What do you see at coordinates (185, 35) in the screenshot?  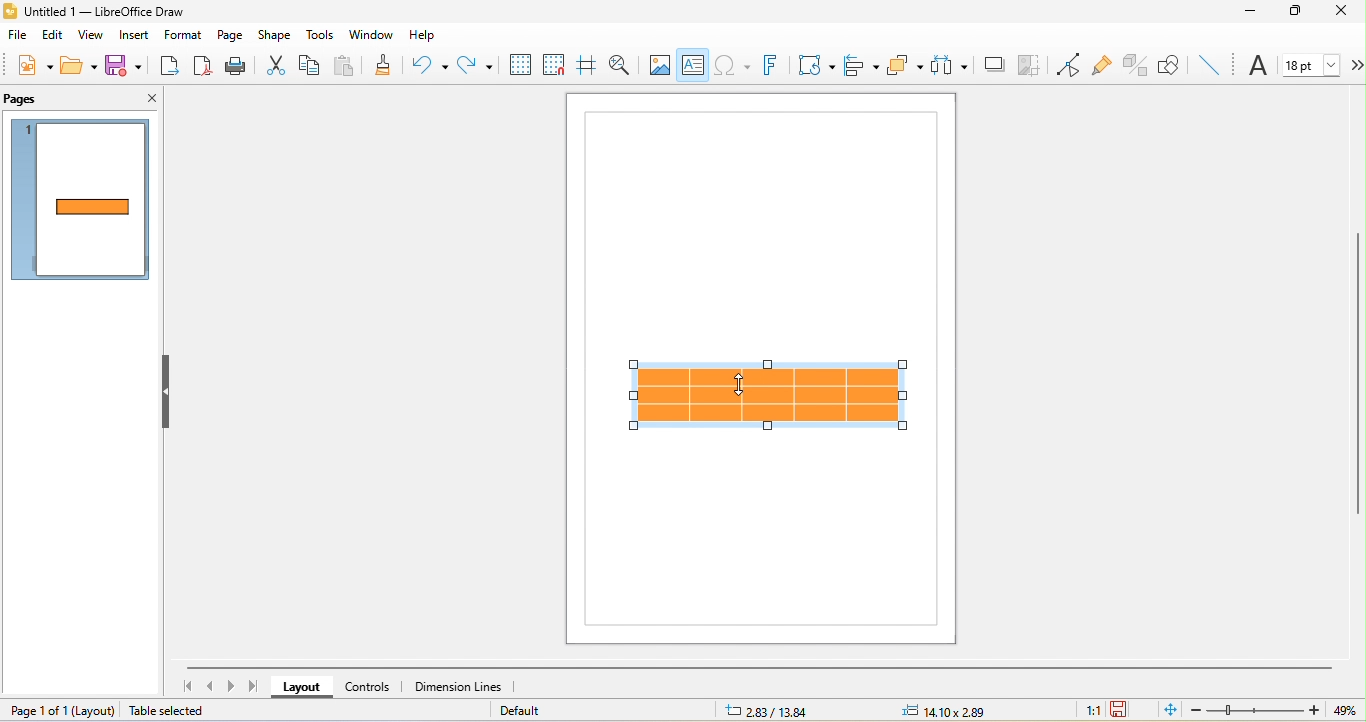 I see `format` at bounding box center [185, 35].